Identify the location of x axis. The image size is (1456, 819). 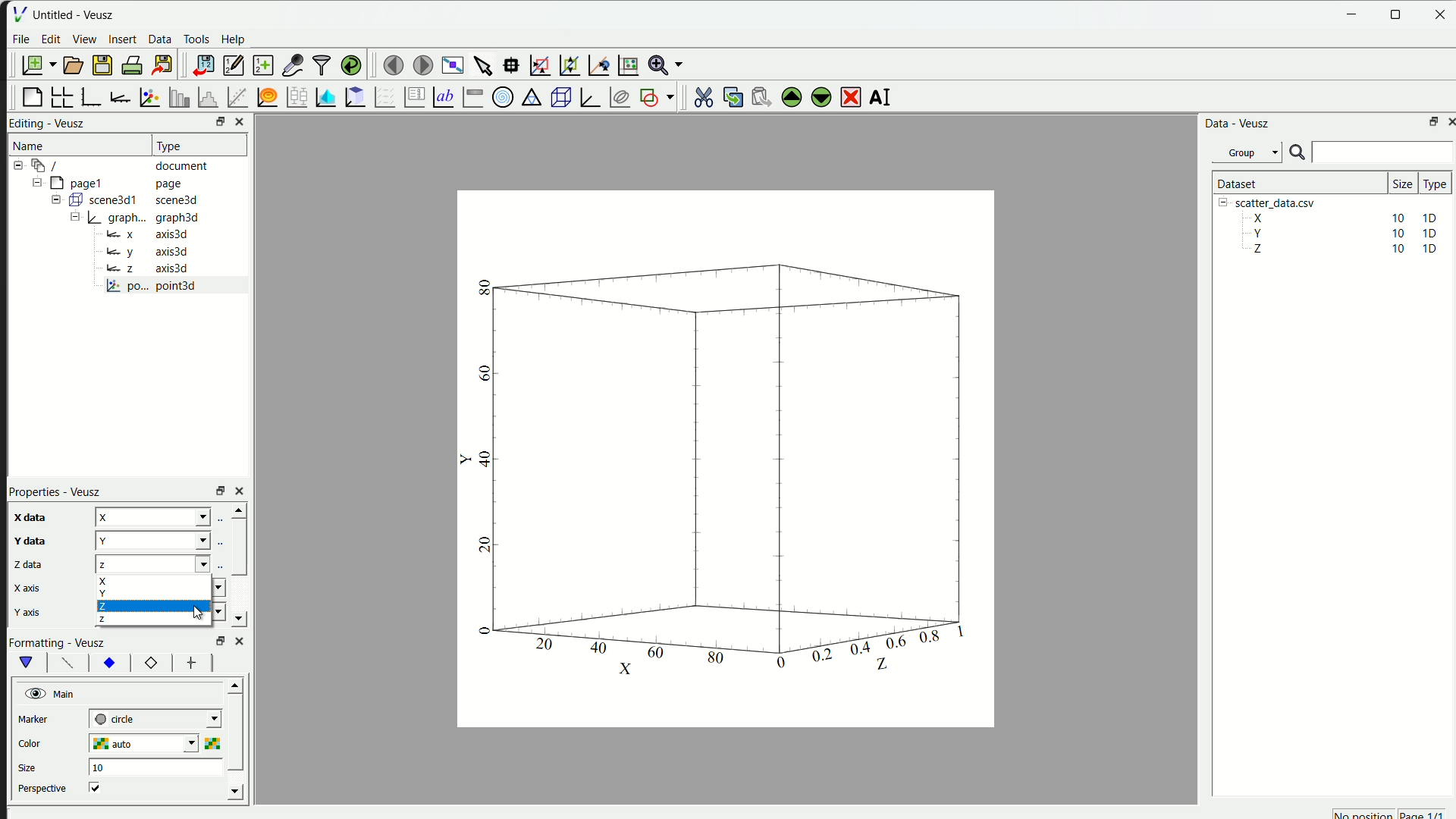
(28, 588).